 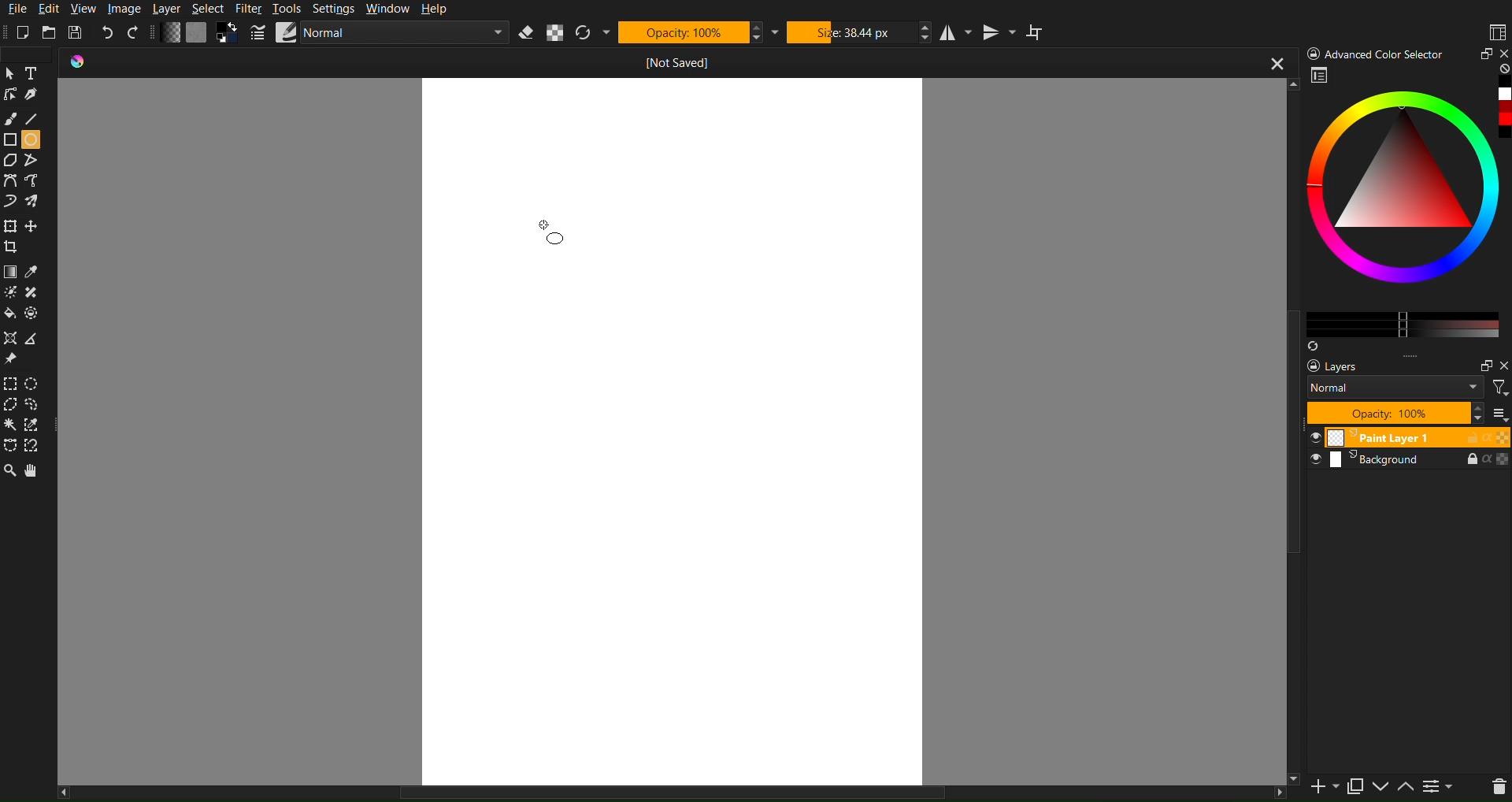 I want to click on Curve Tools, so click(x=10, y=181).